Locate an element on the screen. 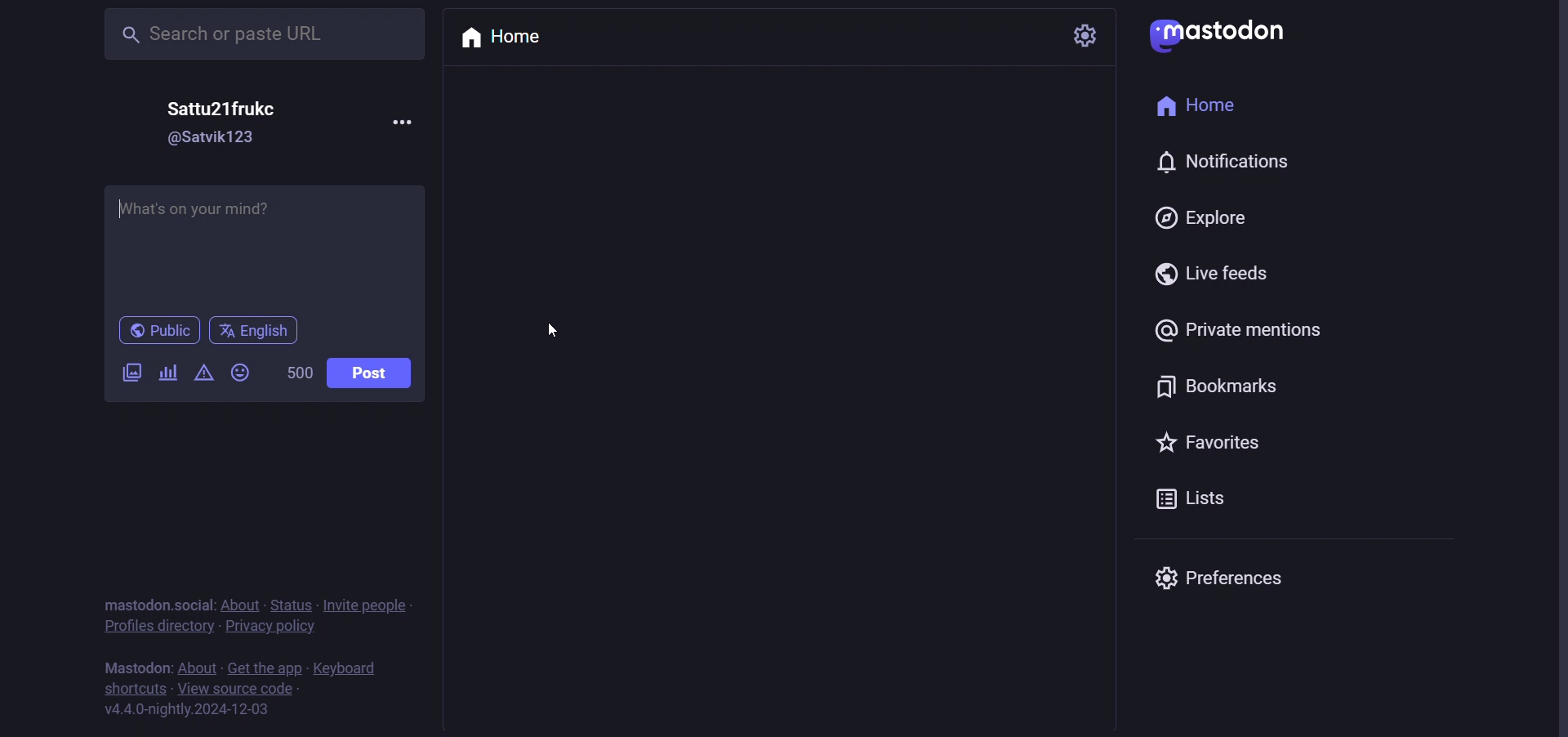 This screenshot has height=737, width=1568. version is located at coordinates (189, 711).